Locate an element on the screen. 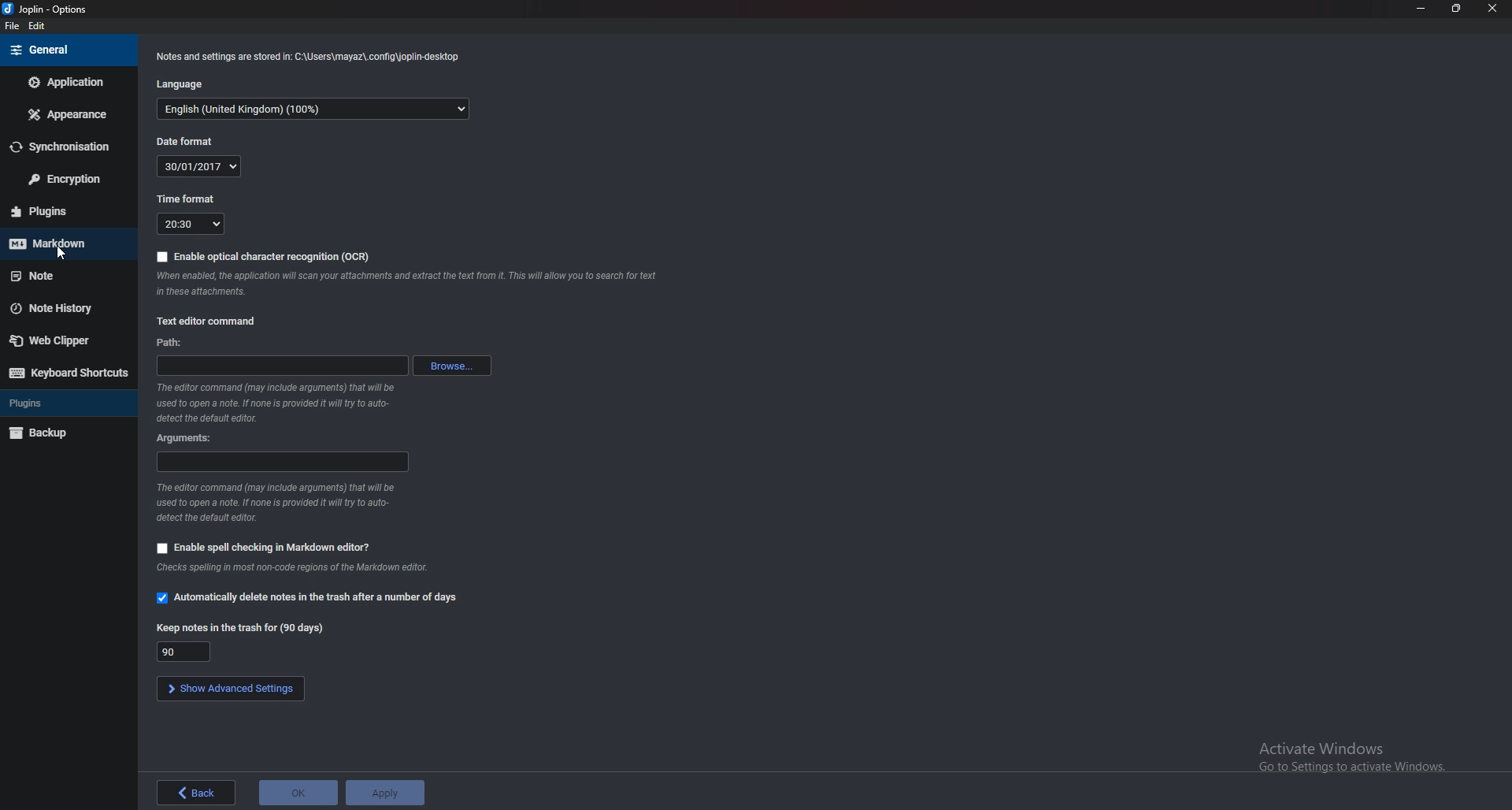 The height and width of the screenshot is (810, 1512). edit is located at coordinates (39, 25).